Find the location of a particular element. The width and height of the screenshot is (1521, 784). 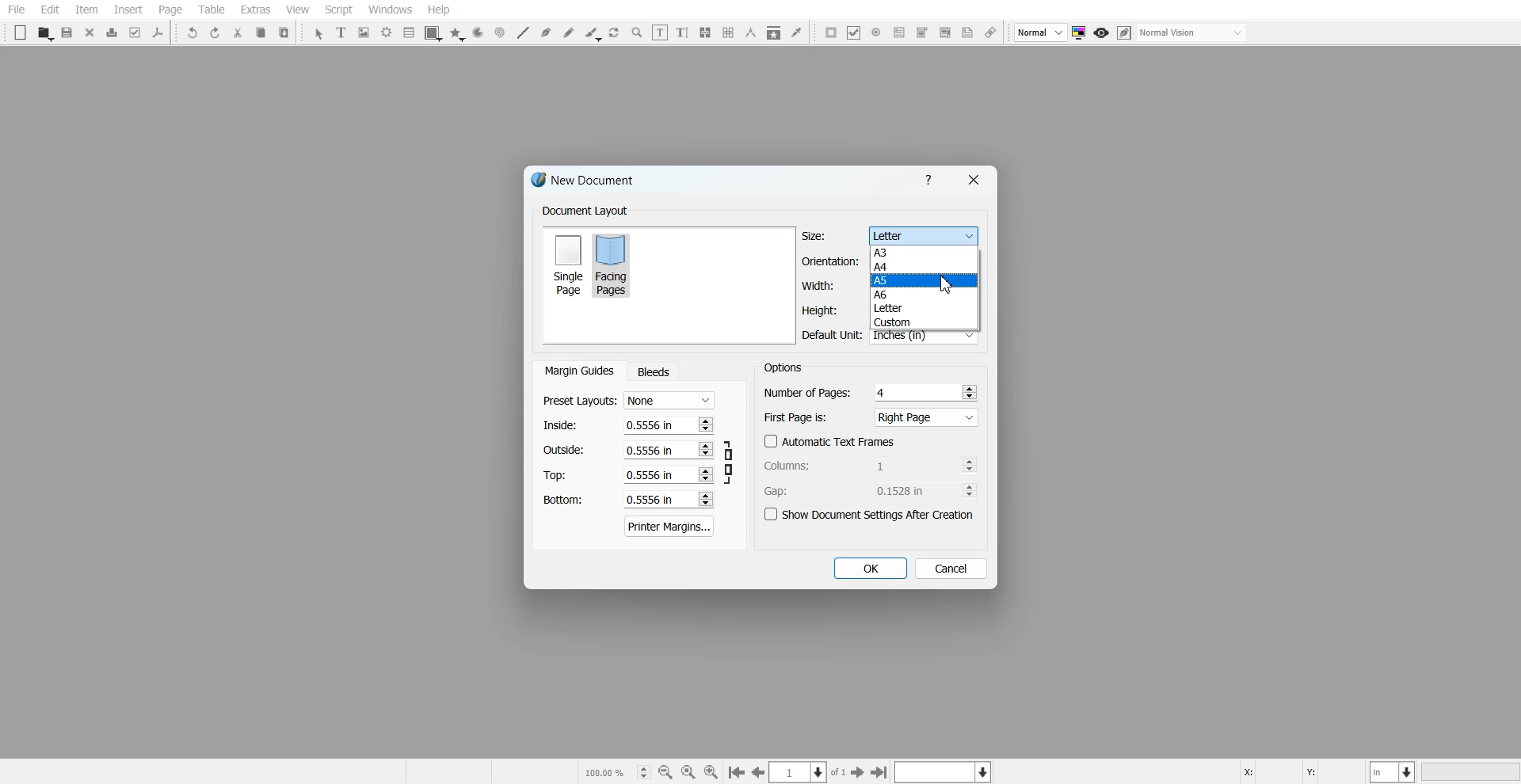

Close is located at coordinates (972, 180).